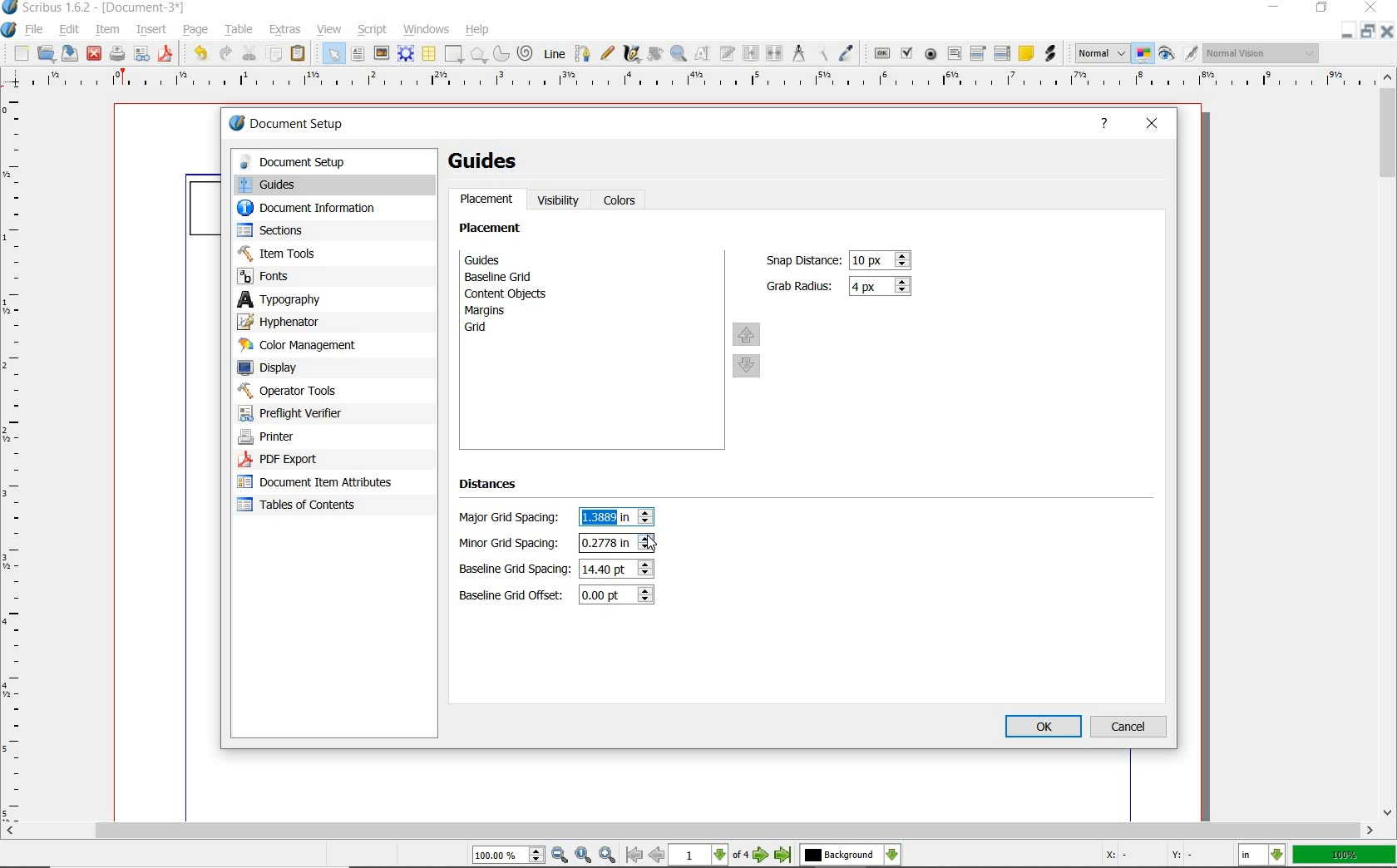 This screenshot has width=1397, height=868. Describe the element at coordinates (323, 210) in the screenshot. I see `document information` at that location.